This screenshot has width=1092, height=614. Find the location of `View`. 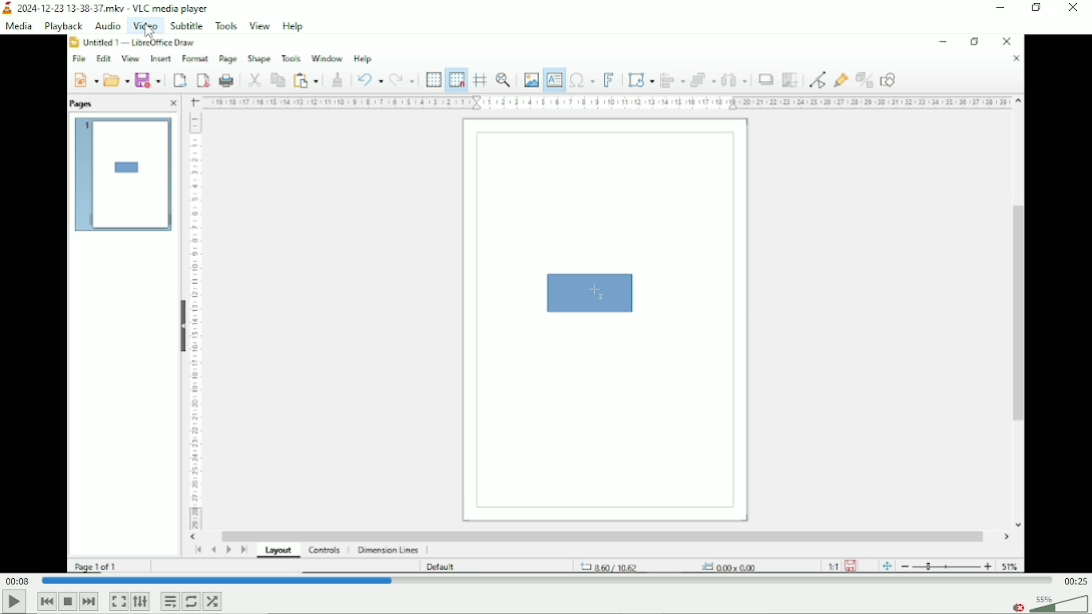

View is located at coordinates (260, 26).